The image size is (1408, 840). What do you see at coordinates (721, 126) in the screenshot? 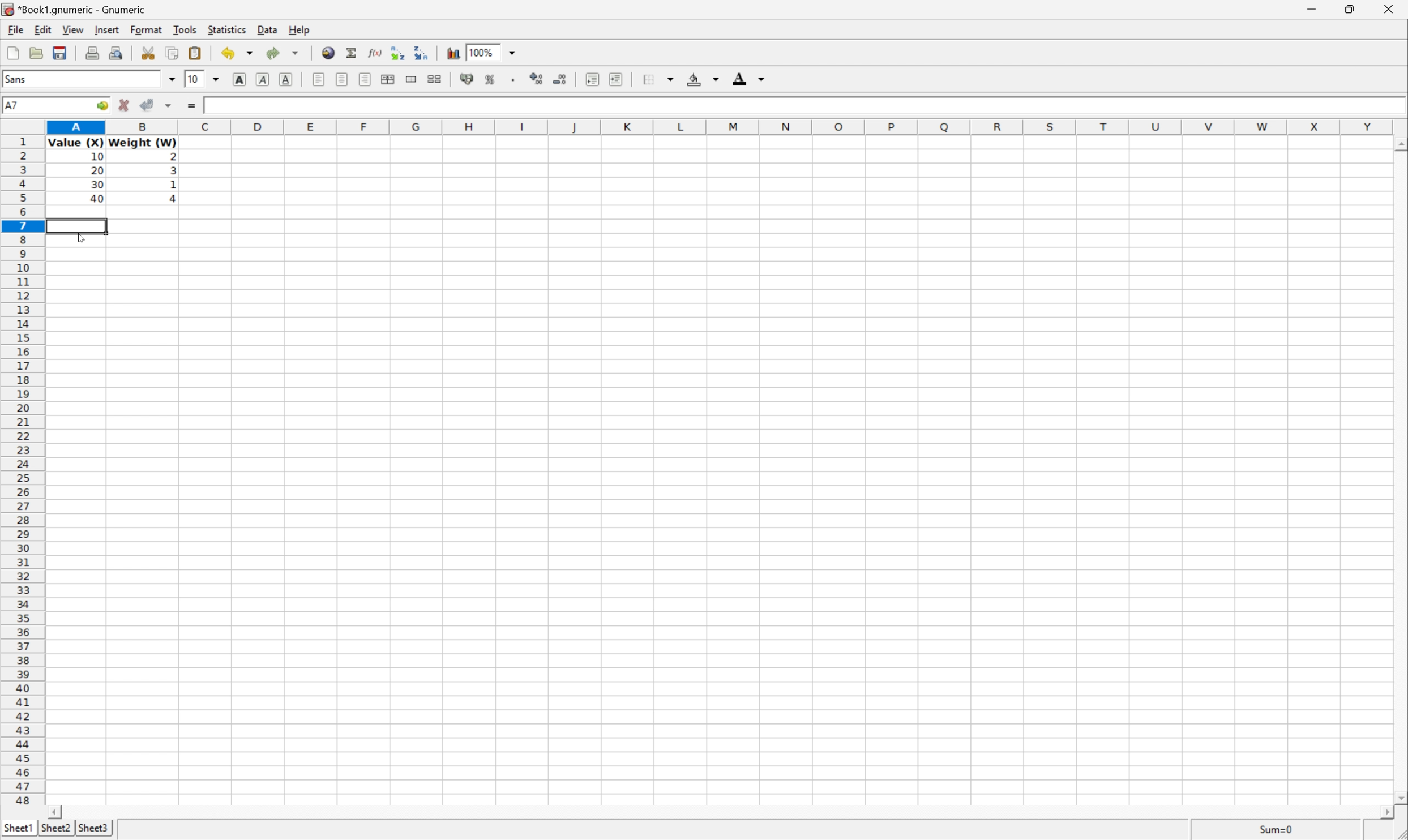
I see `Column Names` at bounding box center [721, 126].